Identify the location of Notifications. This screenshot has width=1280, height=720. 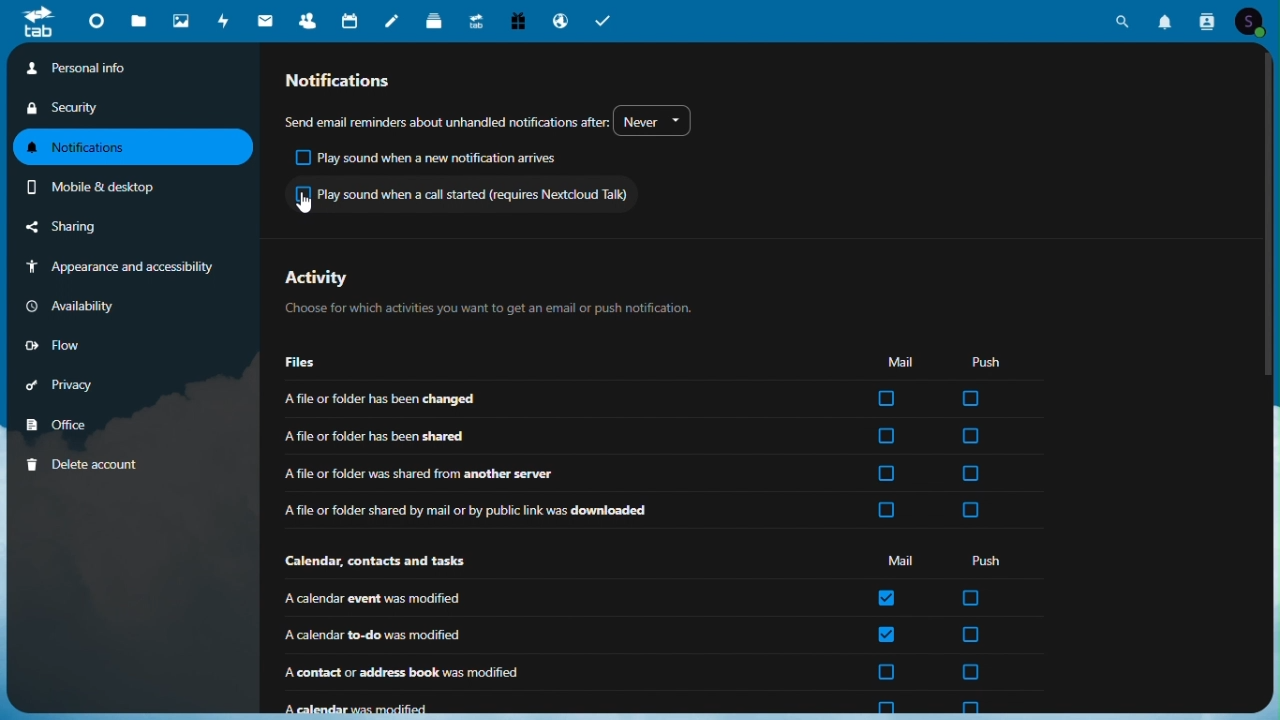
(354, 80).